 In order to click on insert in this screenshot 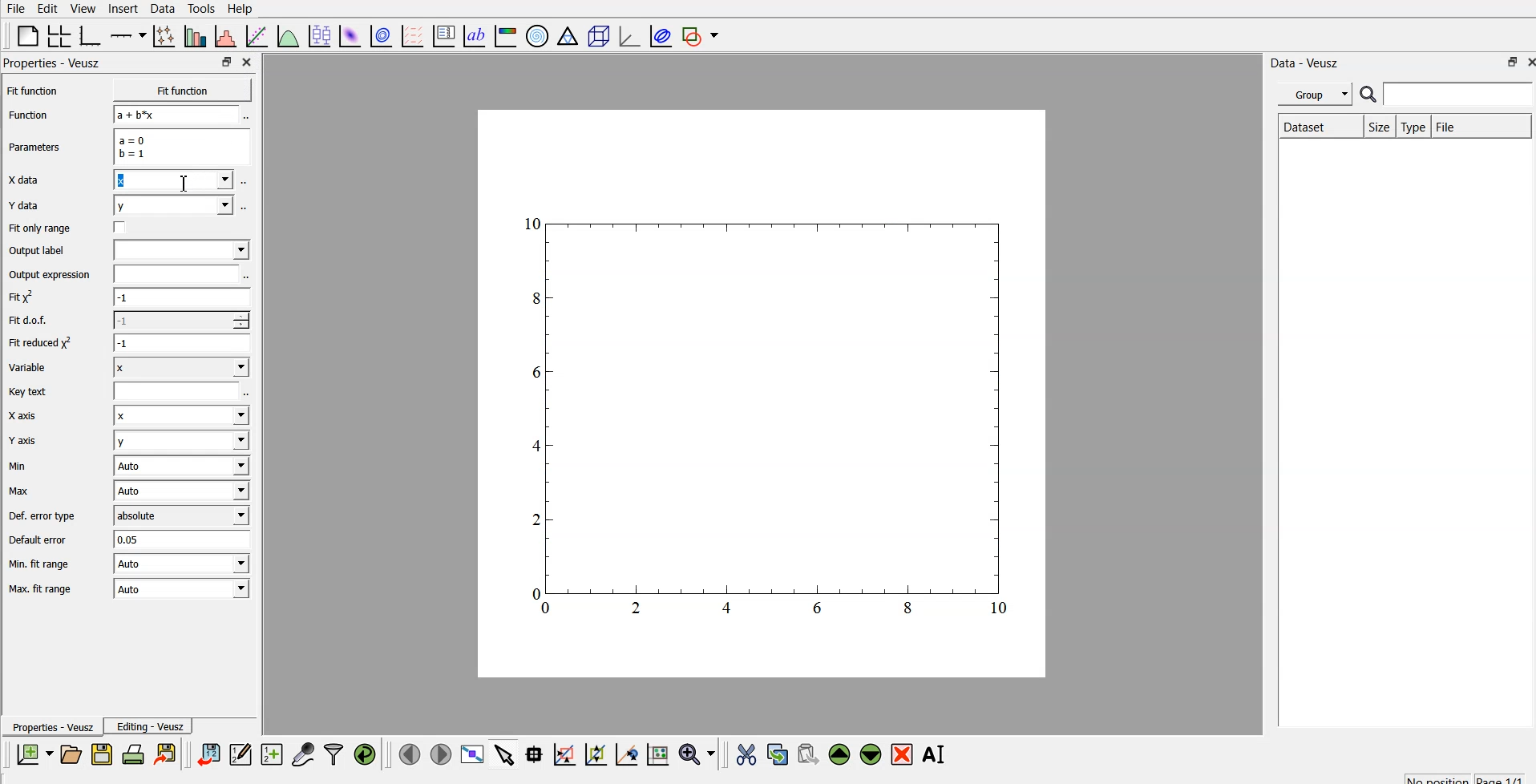, I will do `click(121, 8)`.